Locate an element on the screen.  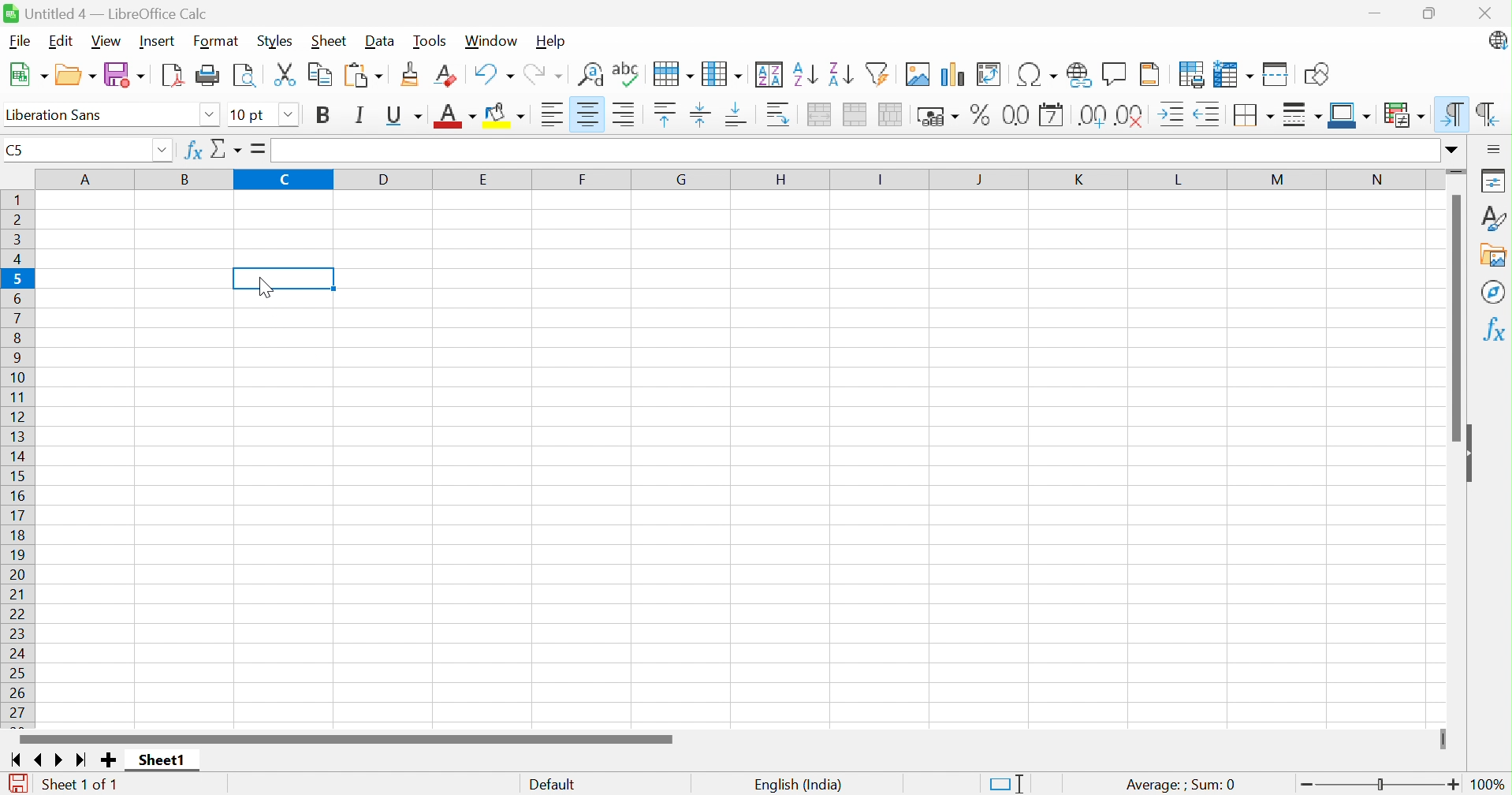
Column is located at coordinates (724, 71).